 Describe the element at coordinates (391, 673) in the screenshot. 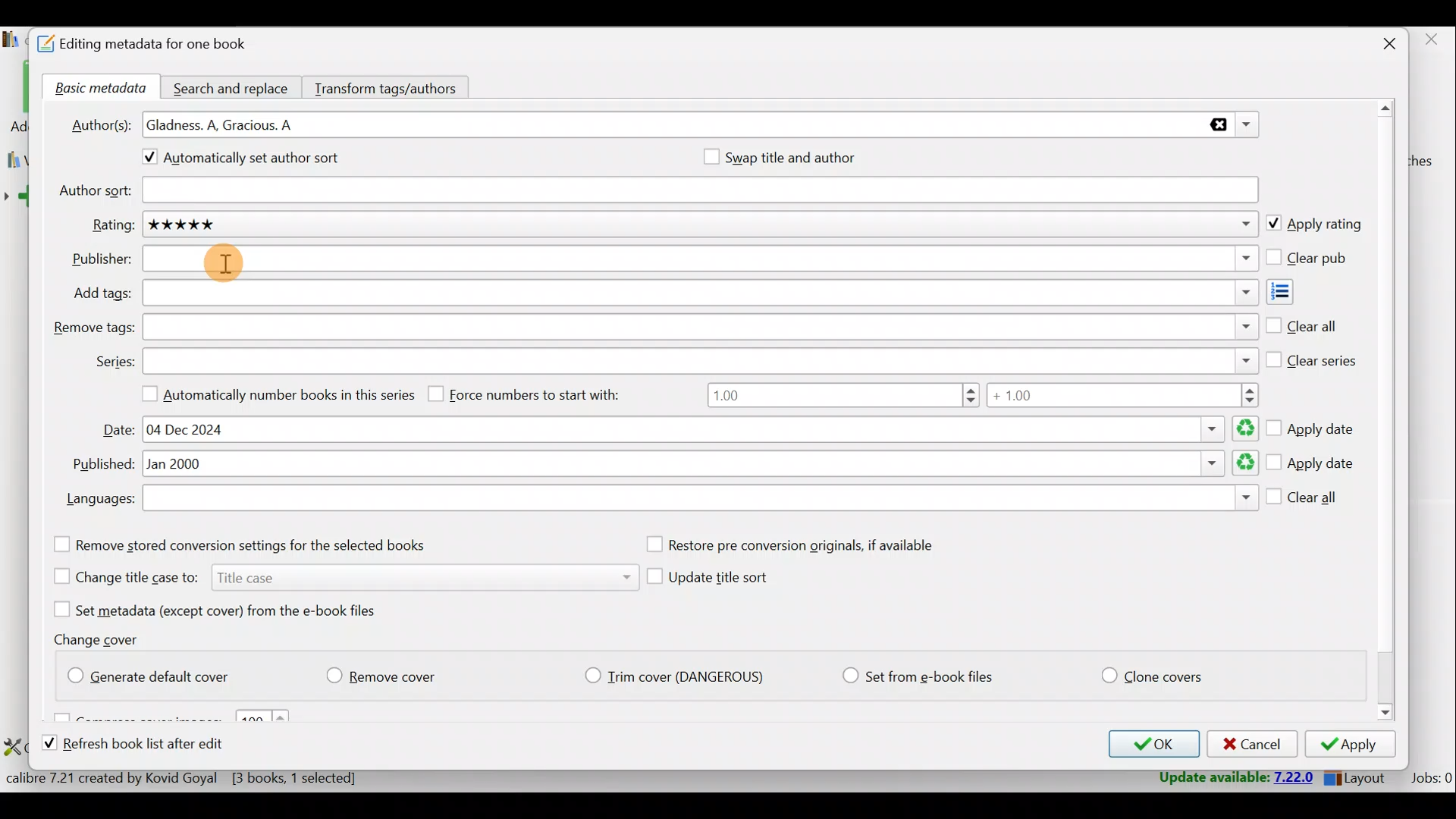

I see `Remove cover` at that location.